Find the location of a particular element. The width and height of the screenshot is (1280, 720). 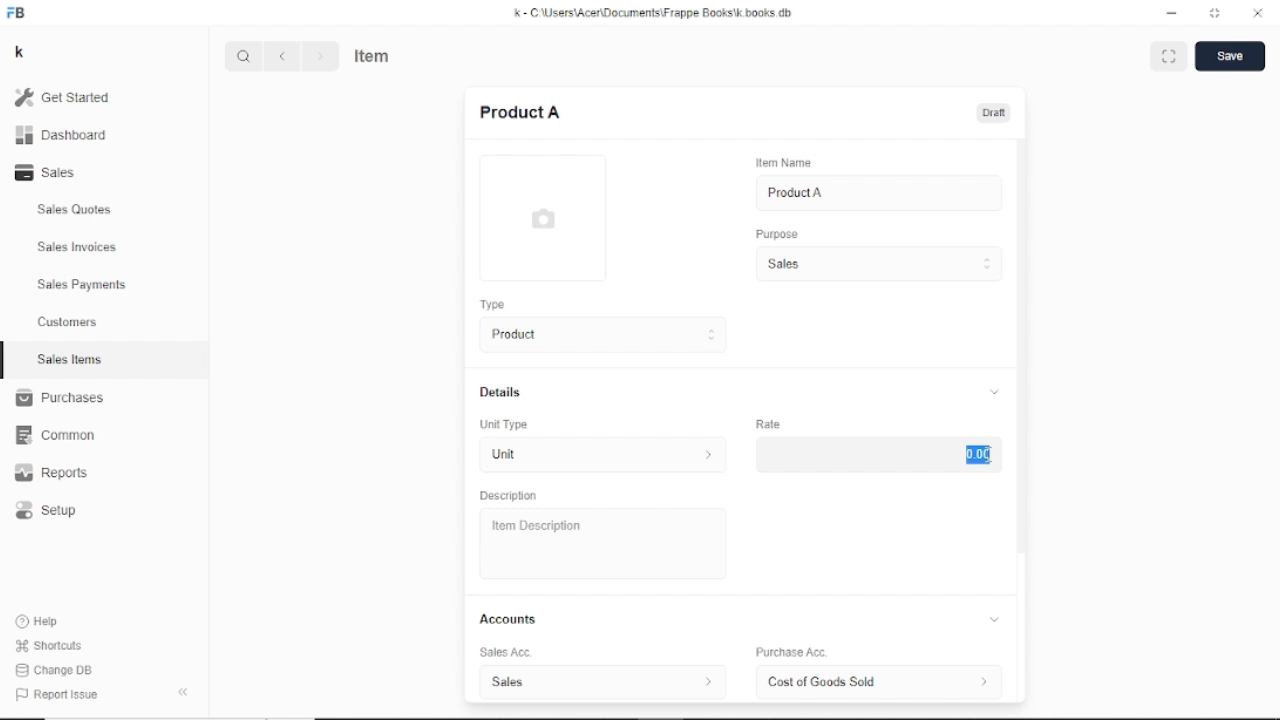

Rate is located at coordinates (768, 423).